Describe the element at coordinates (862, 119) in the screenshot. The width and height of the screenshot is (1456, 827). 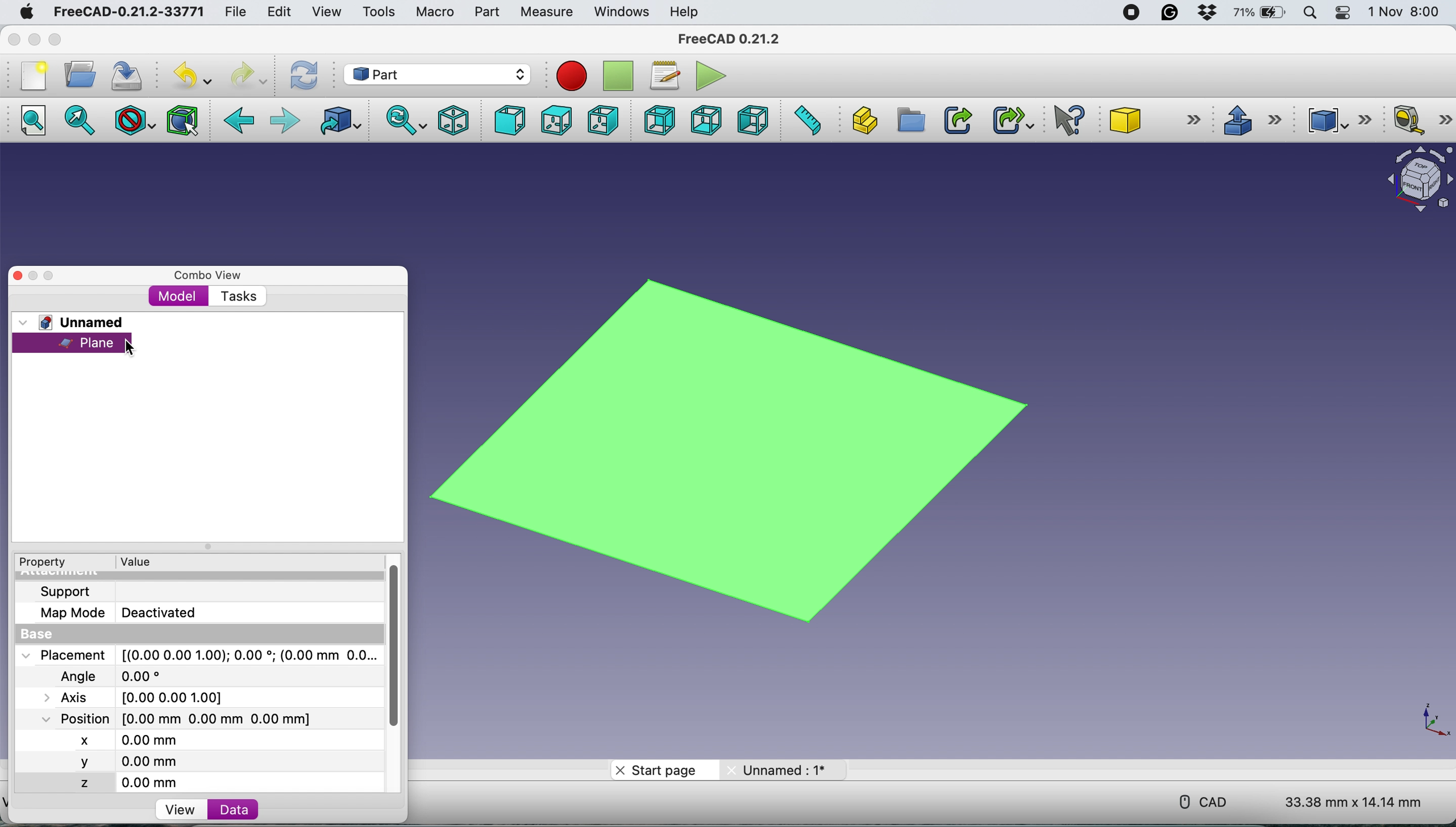
I see `create part` at that location.